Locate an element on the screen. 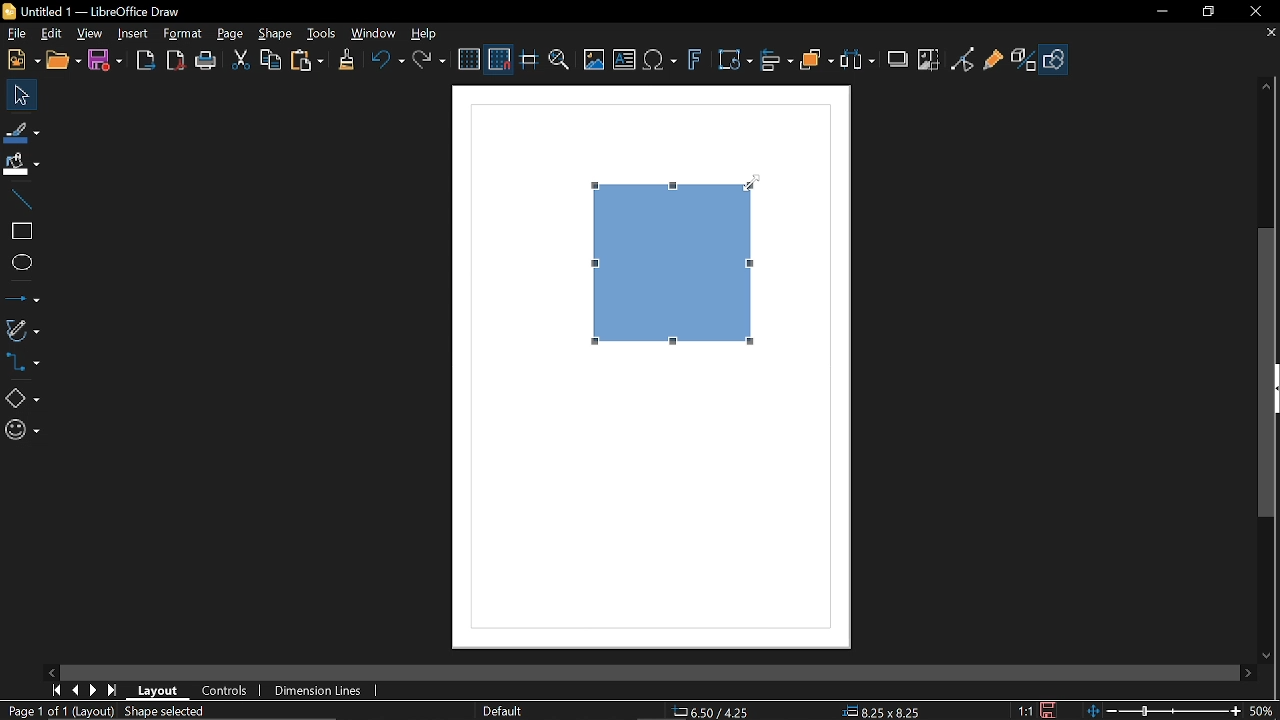 The width and height of the screenshot is (1280, 720). Restore down is located at coordinates (1206, 13).